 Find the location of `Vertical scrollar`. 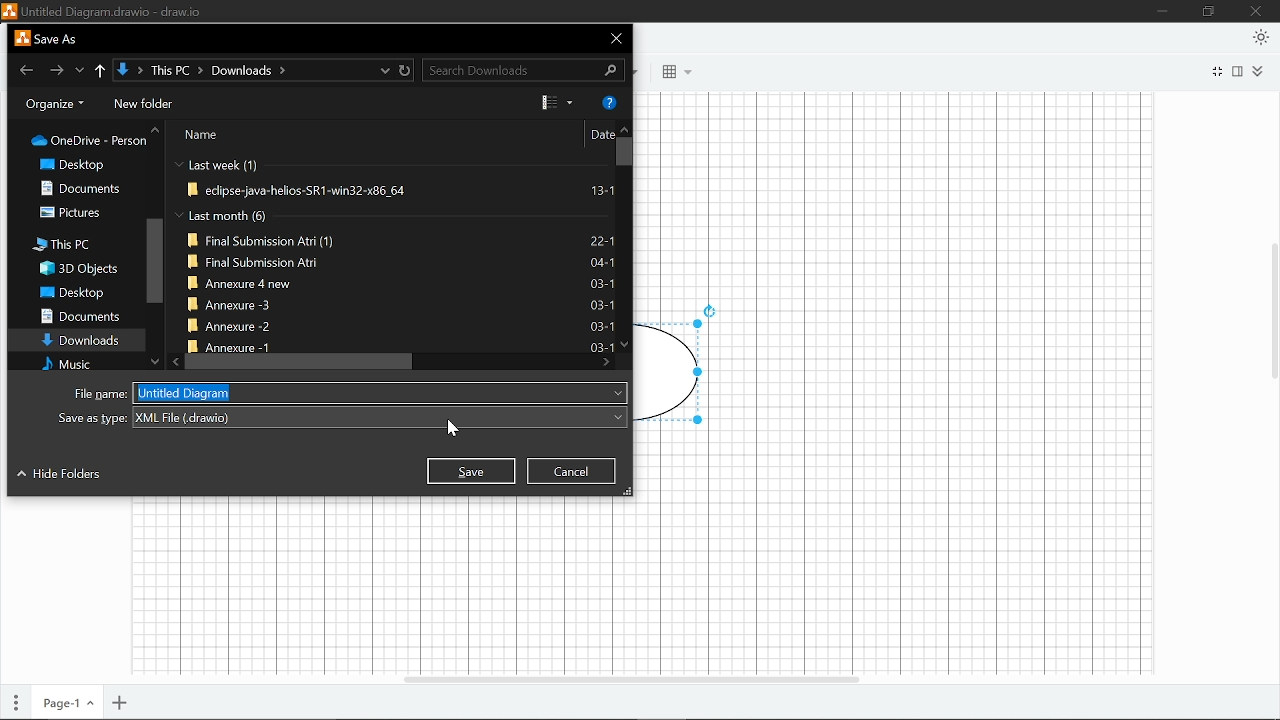

Vertical scrollar is located at coordinates (1272, 301).